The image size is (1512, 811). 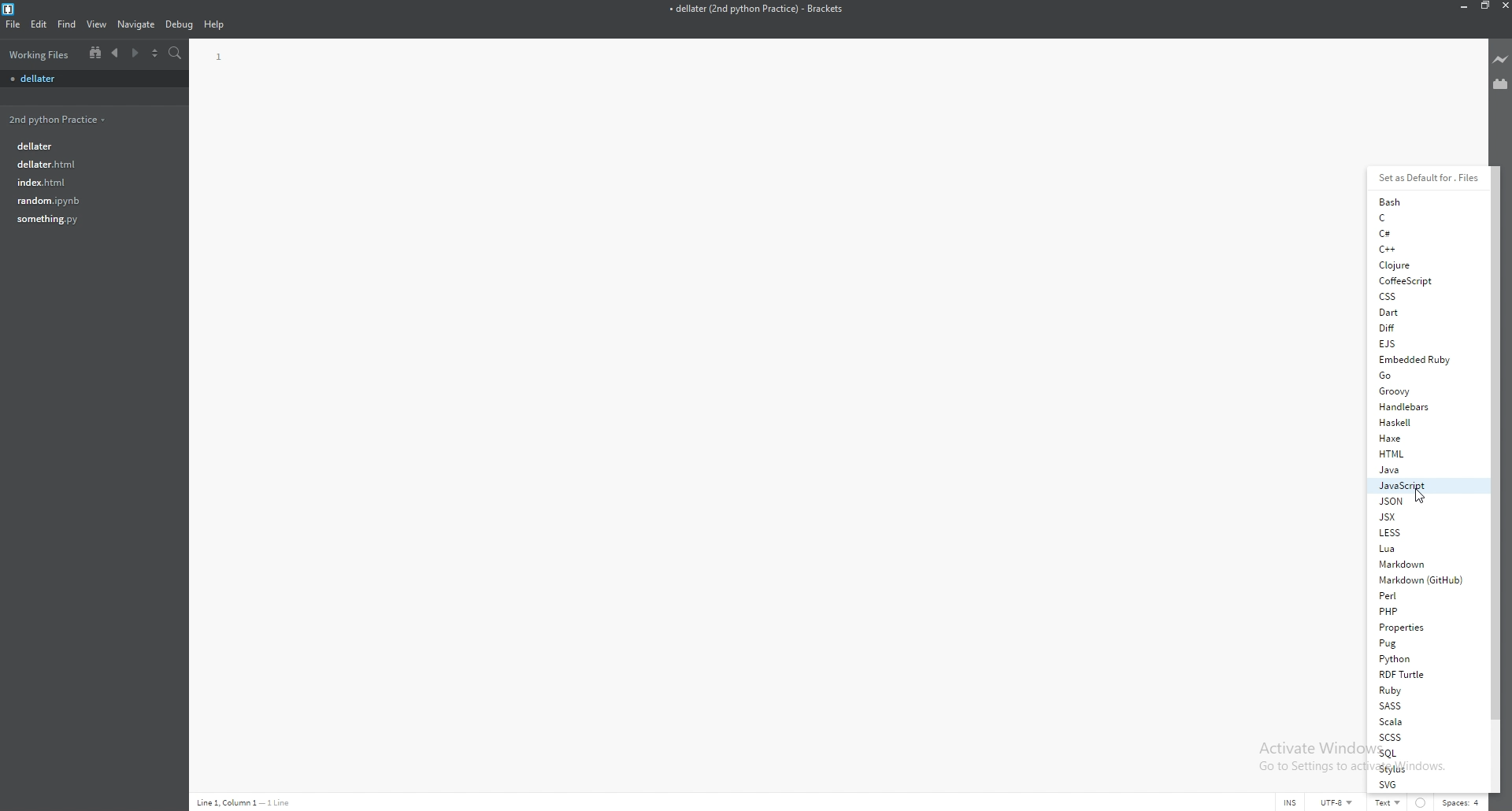 I want to click on file name, so click(x=756, y=9).